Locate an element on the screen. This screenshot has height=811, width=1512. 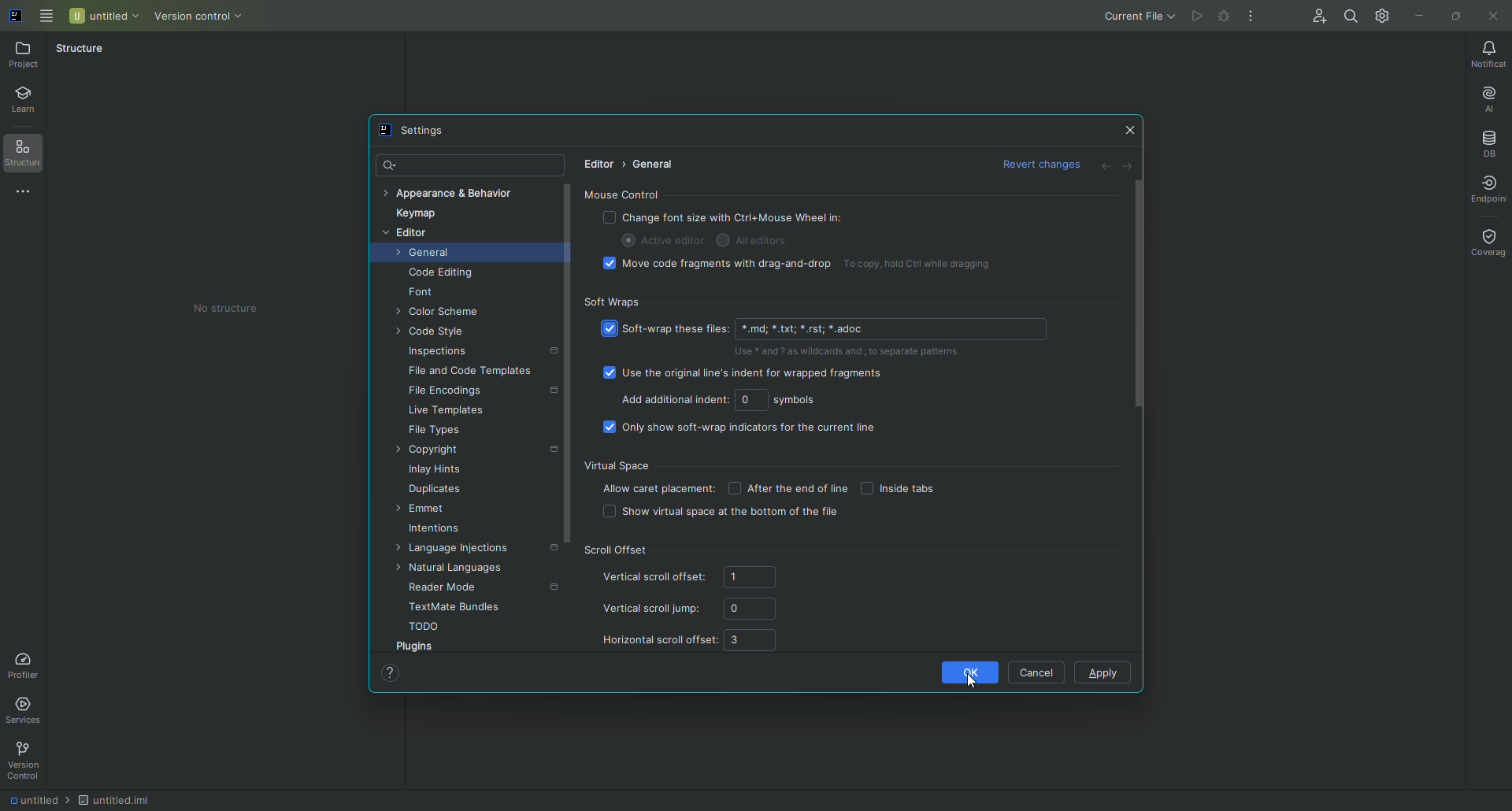
Appearance and Behaviour is located at coordinates (459, 192).